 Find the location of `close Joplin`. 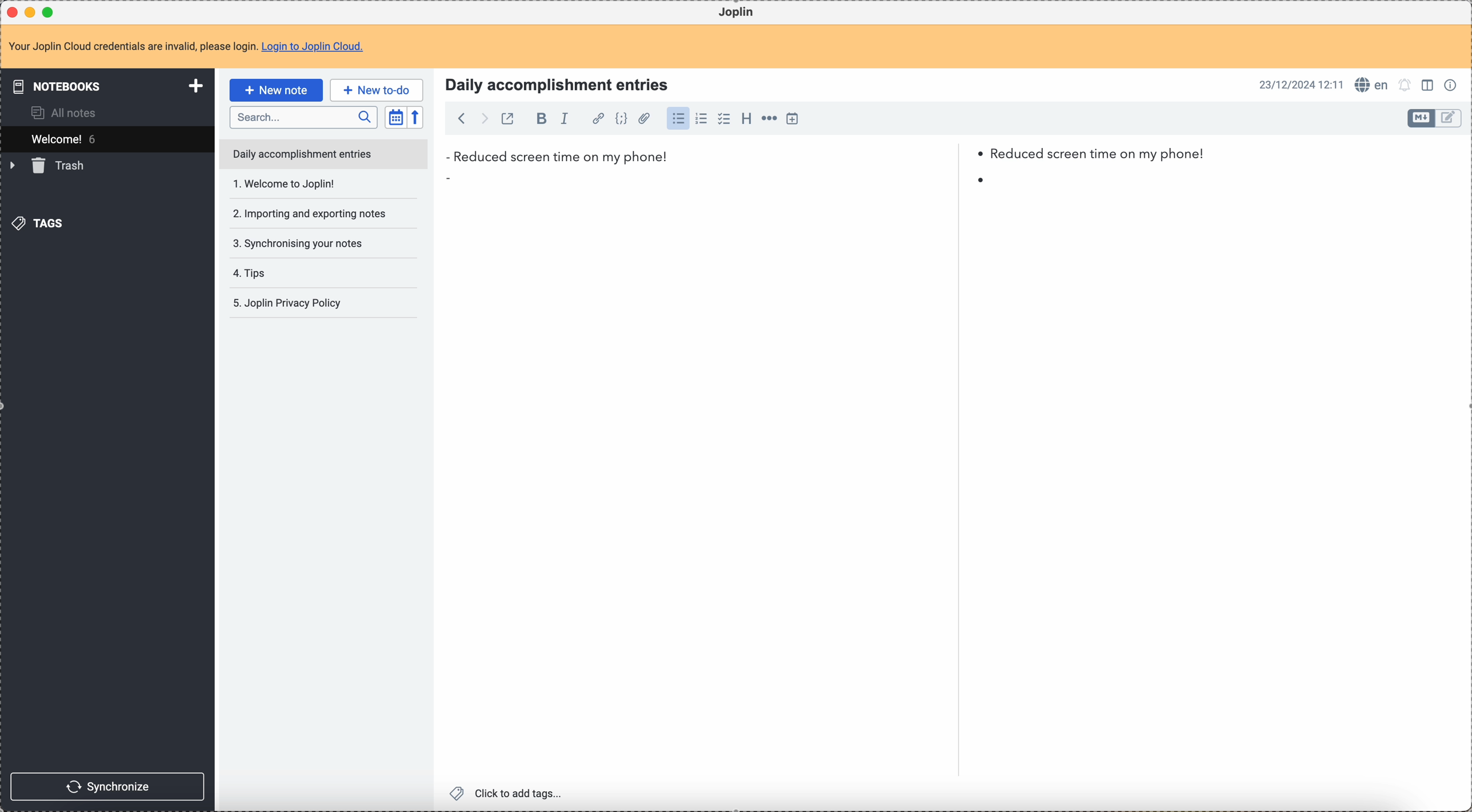

close Joplin is located at coordinates (14, 12).